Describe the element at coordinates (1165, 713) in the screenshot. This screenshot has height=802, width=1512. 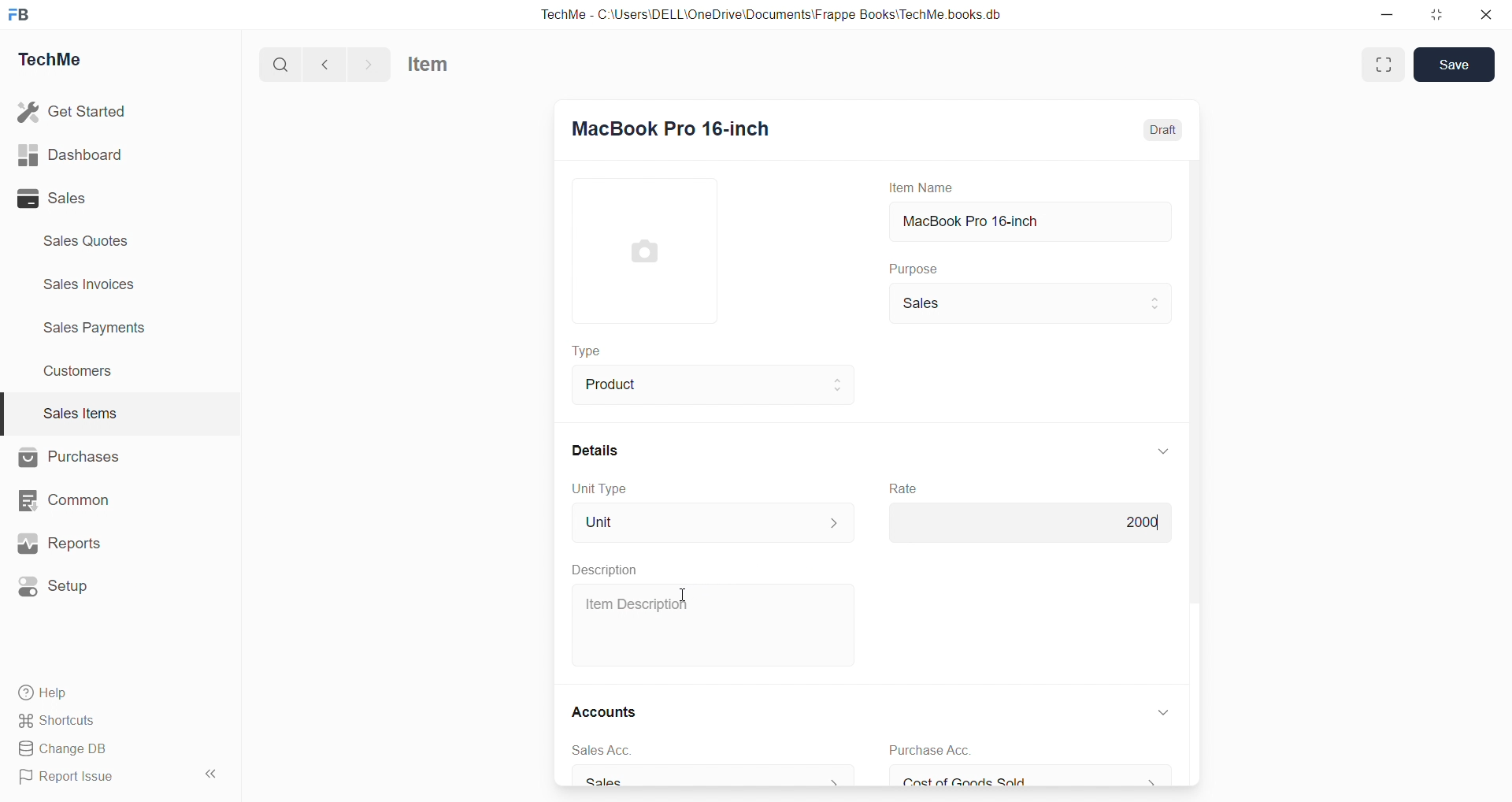
I see `down` at that location.